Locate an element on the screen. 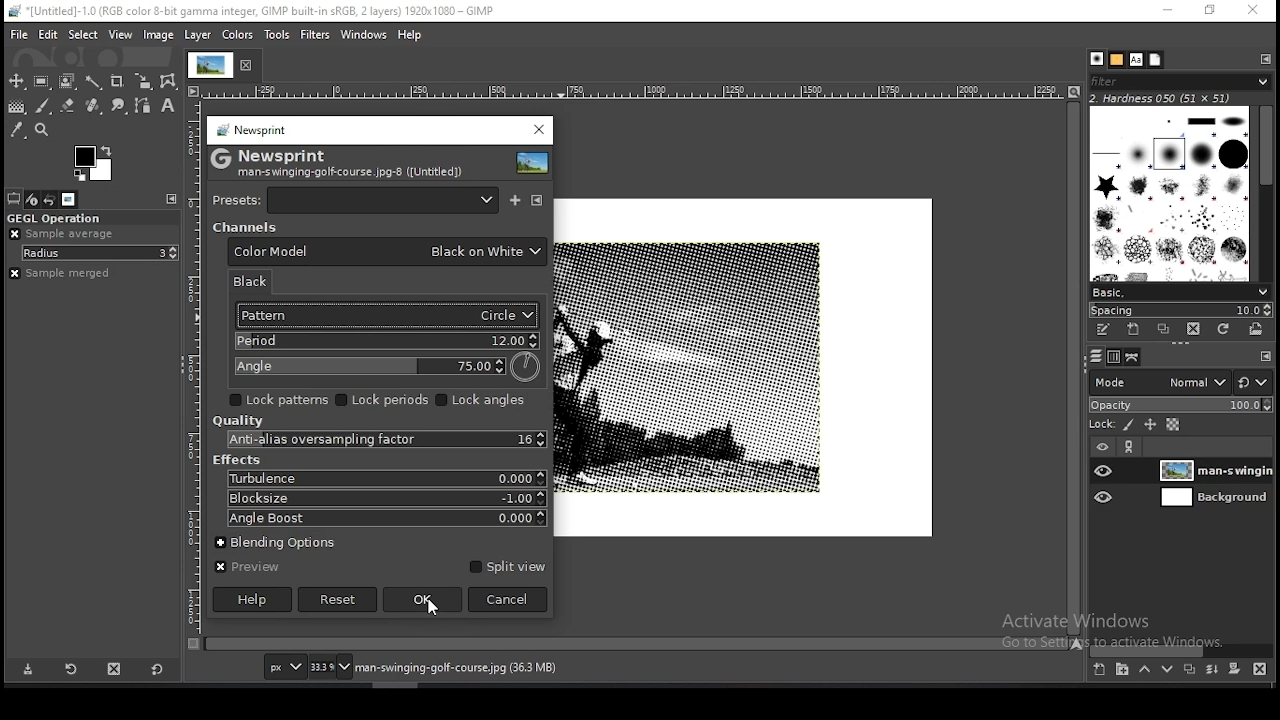 This screenshot has width=1280, height=720. tools is located at coordinates (275, 35).